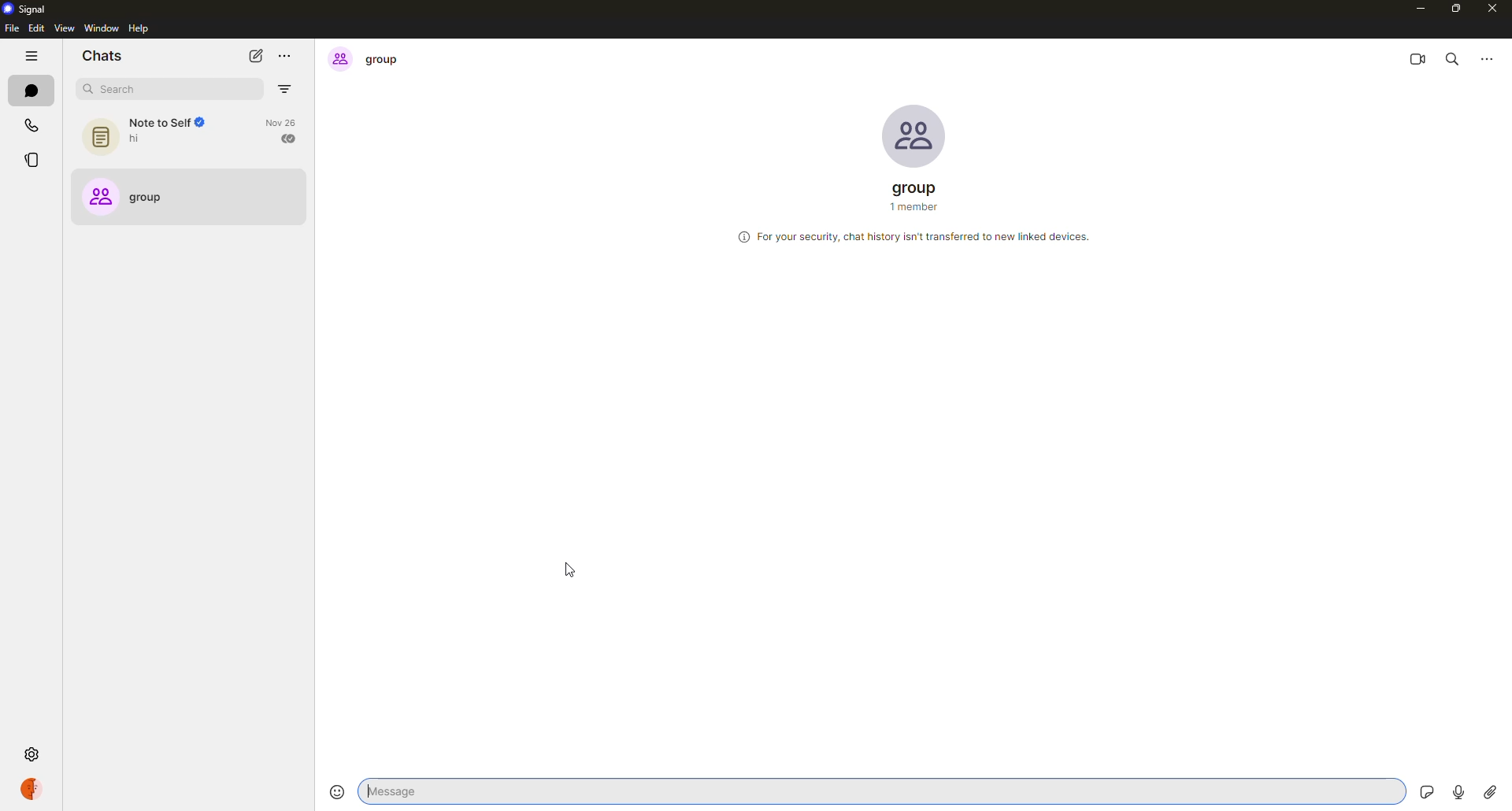  What do you see at coordinates (1453, 58) in the screenshot?
I see `search` at bounding box center [1453, 58].